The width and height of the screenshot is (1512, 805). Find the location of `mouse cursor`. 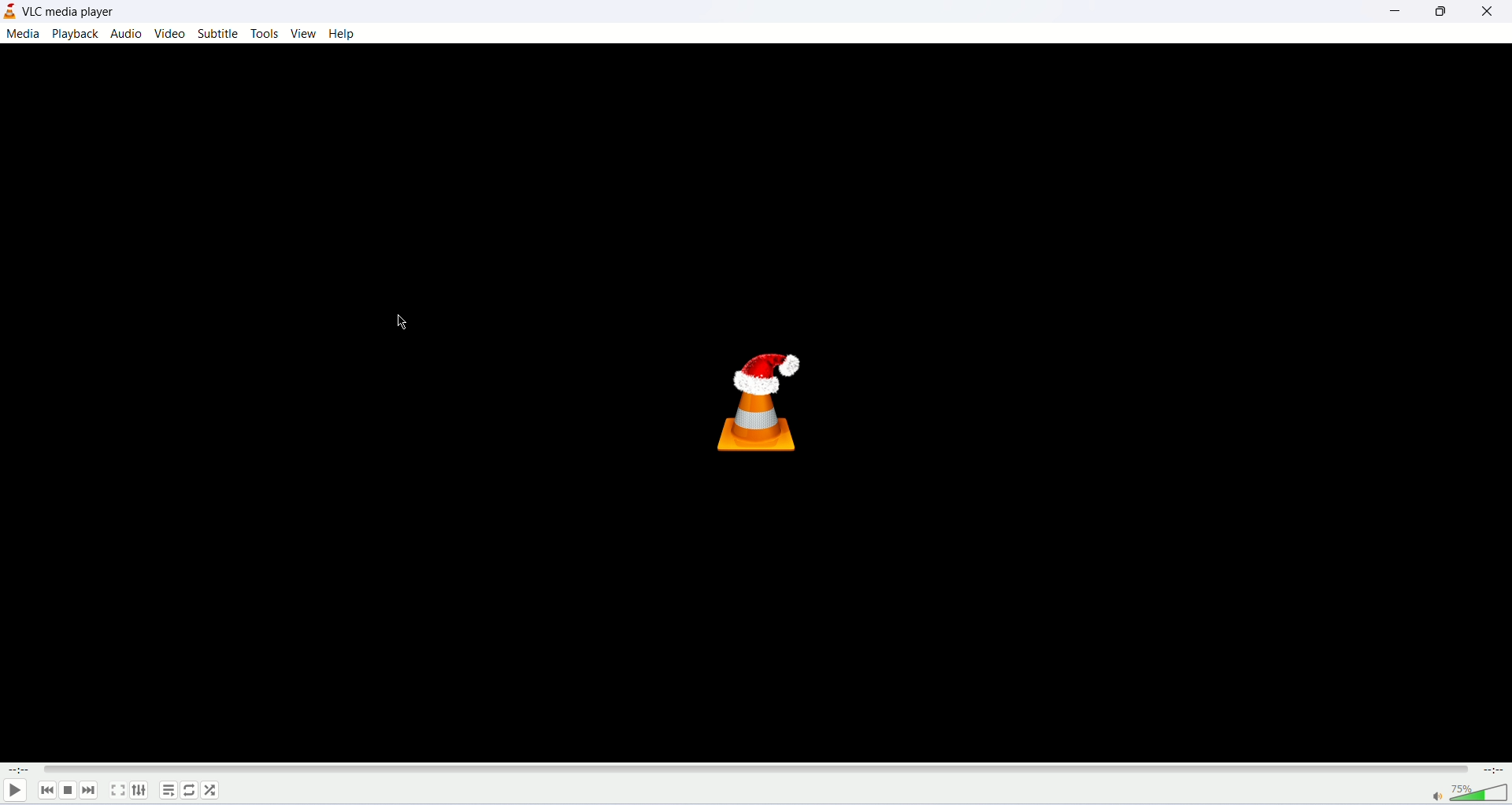

mouse cursor is located at coordinates (403, 324).